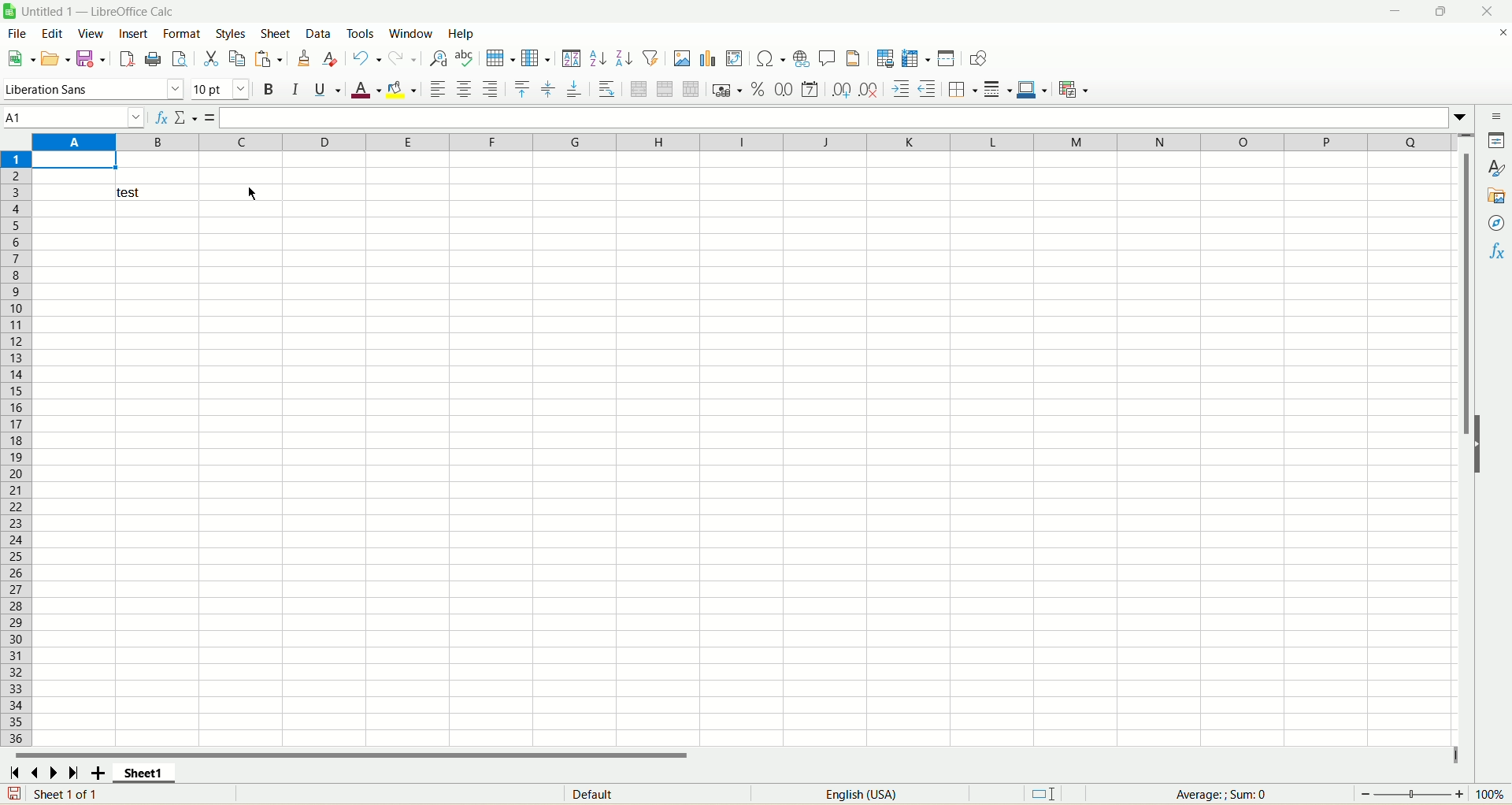  What do you see at coordinates (20, 58) in the screenshot?
I see `new` at bounding box center [20, 58].